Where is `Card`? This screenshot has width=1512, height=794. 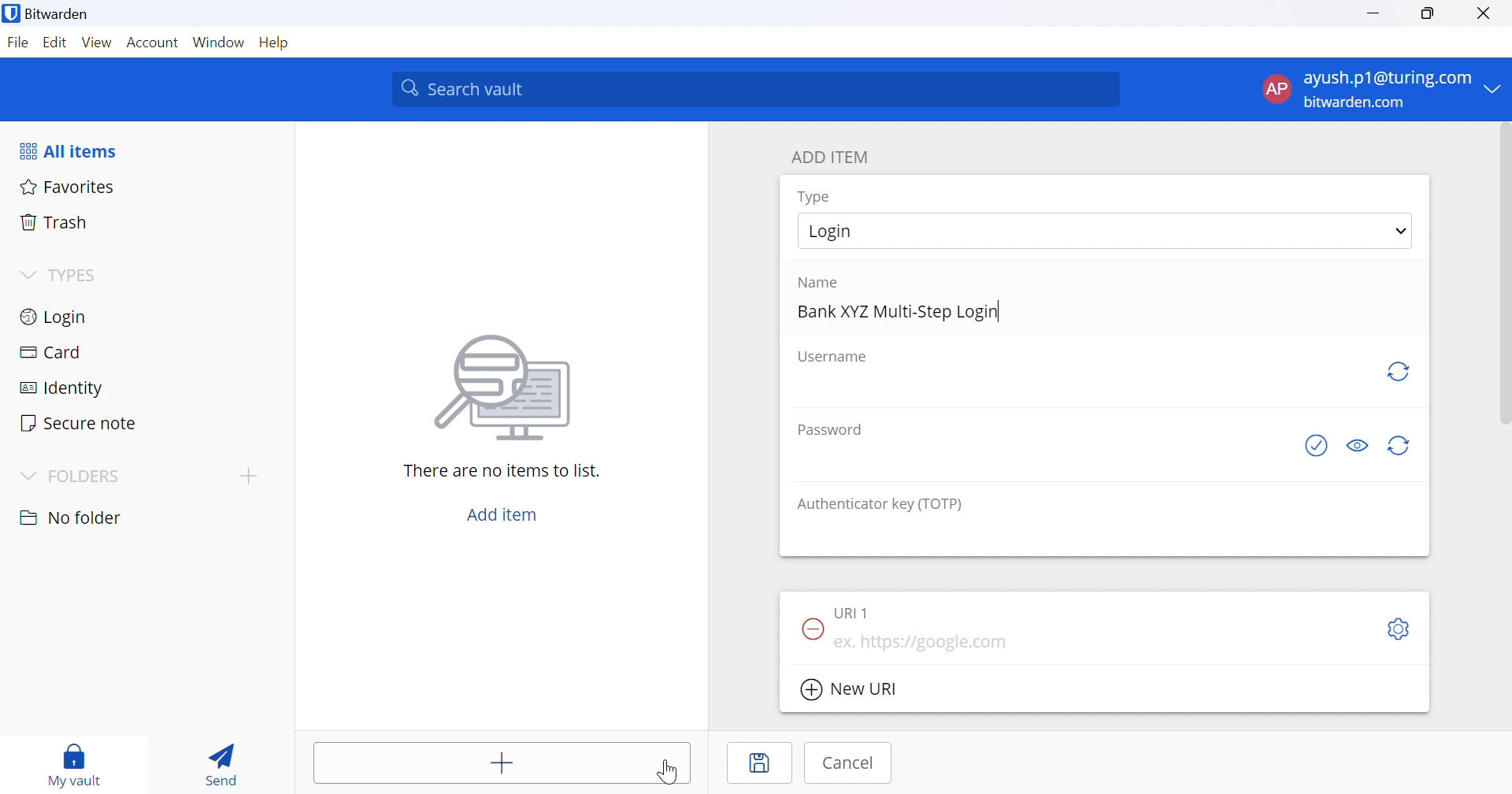
Card is located at coordinates (51, 351).